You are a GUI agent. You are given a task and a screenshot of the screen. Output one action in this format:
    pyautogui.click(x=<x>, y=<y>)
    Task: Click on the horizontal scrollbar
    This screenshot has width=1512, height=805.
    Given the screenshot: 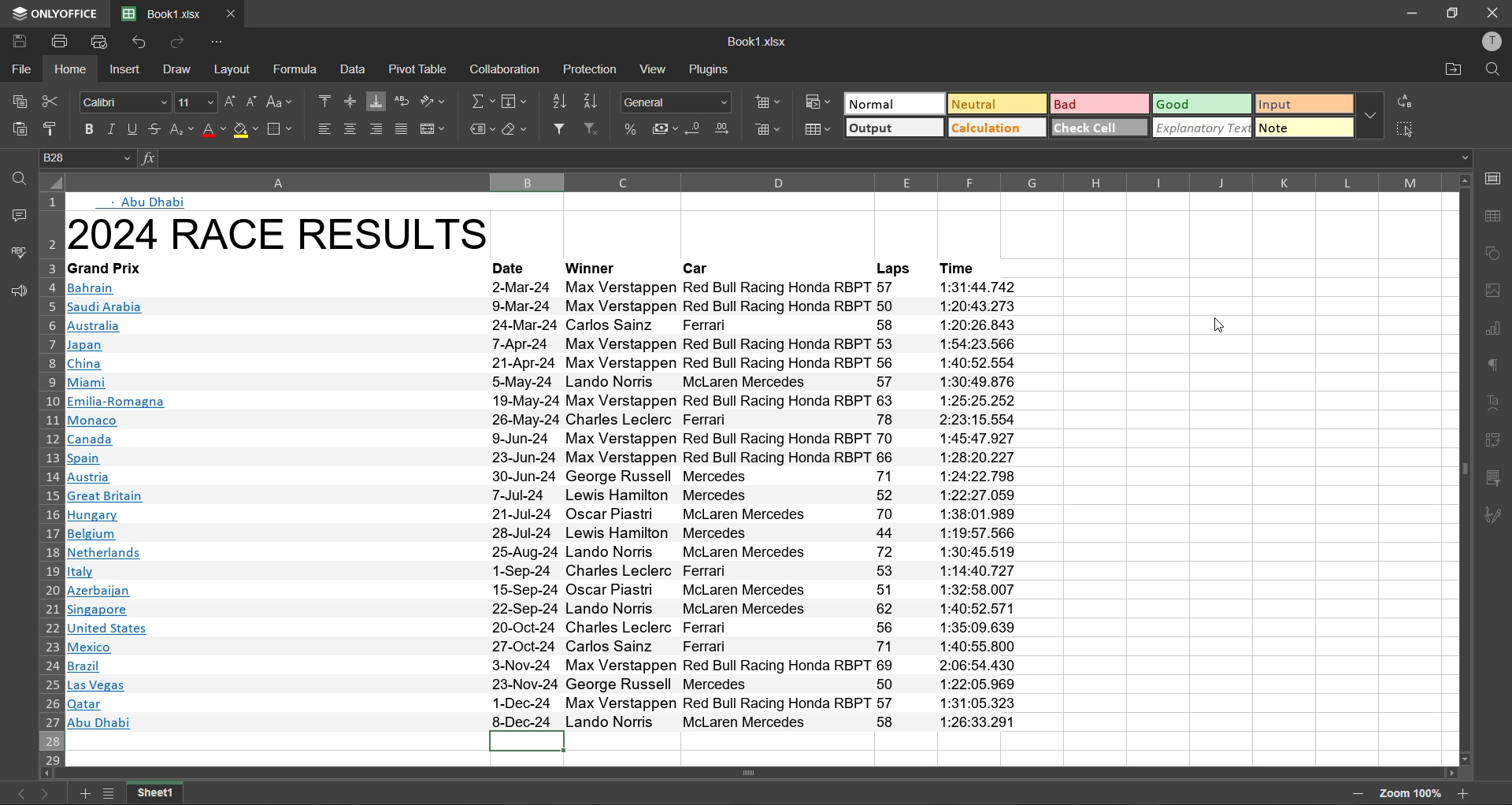 What is the action you would take?
    pyautogui.click(x=752, y=772)
    